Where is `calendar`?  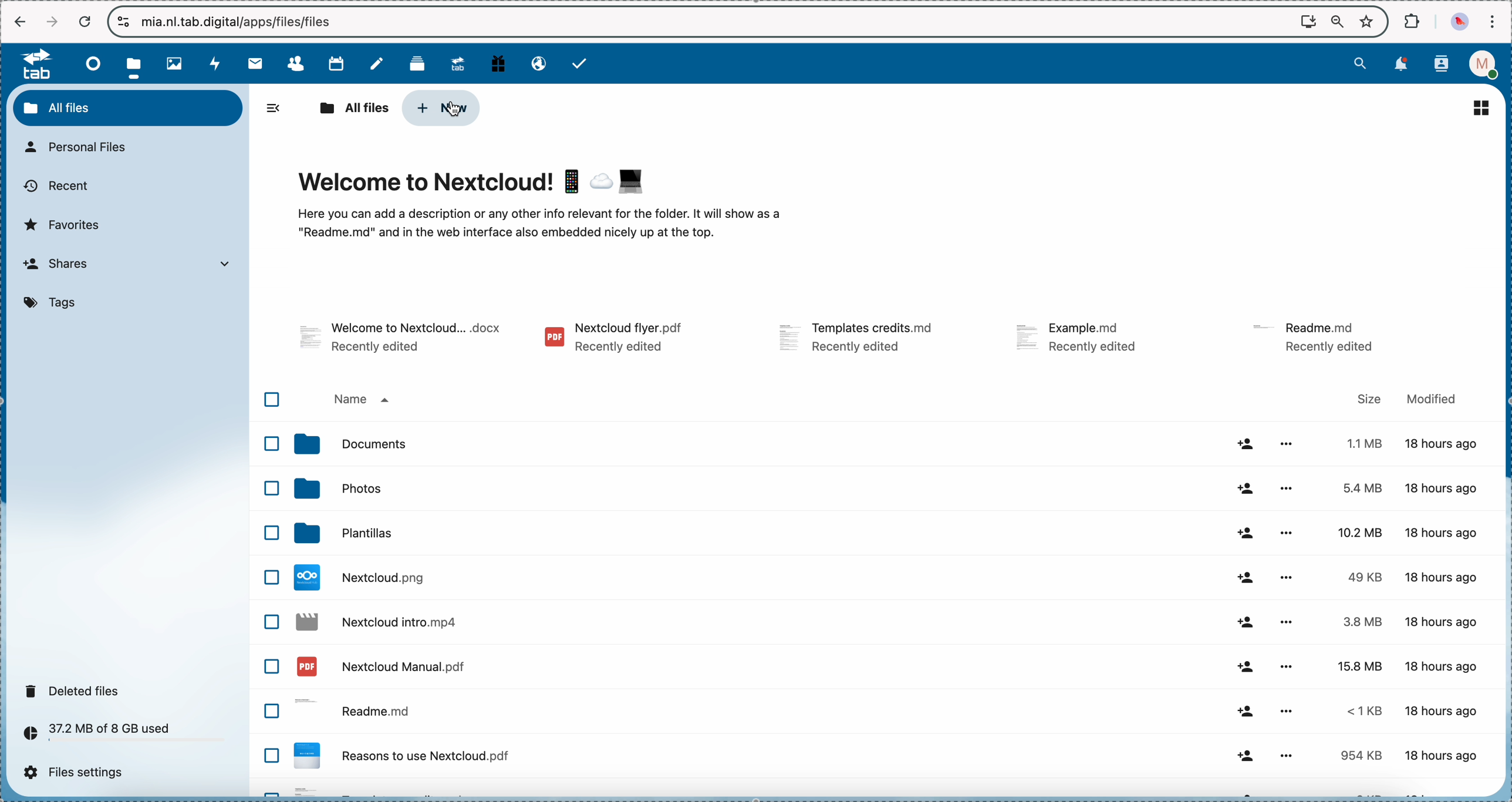
calendar is located at coordinates (336, 62).